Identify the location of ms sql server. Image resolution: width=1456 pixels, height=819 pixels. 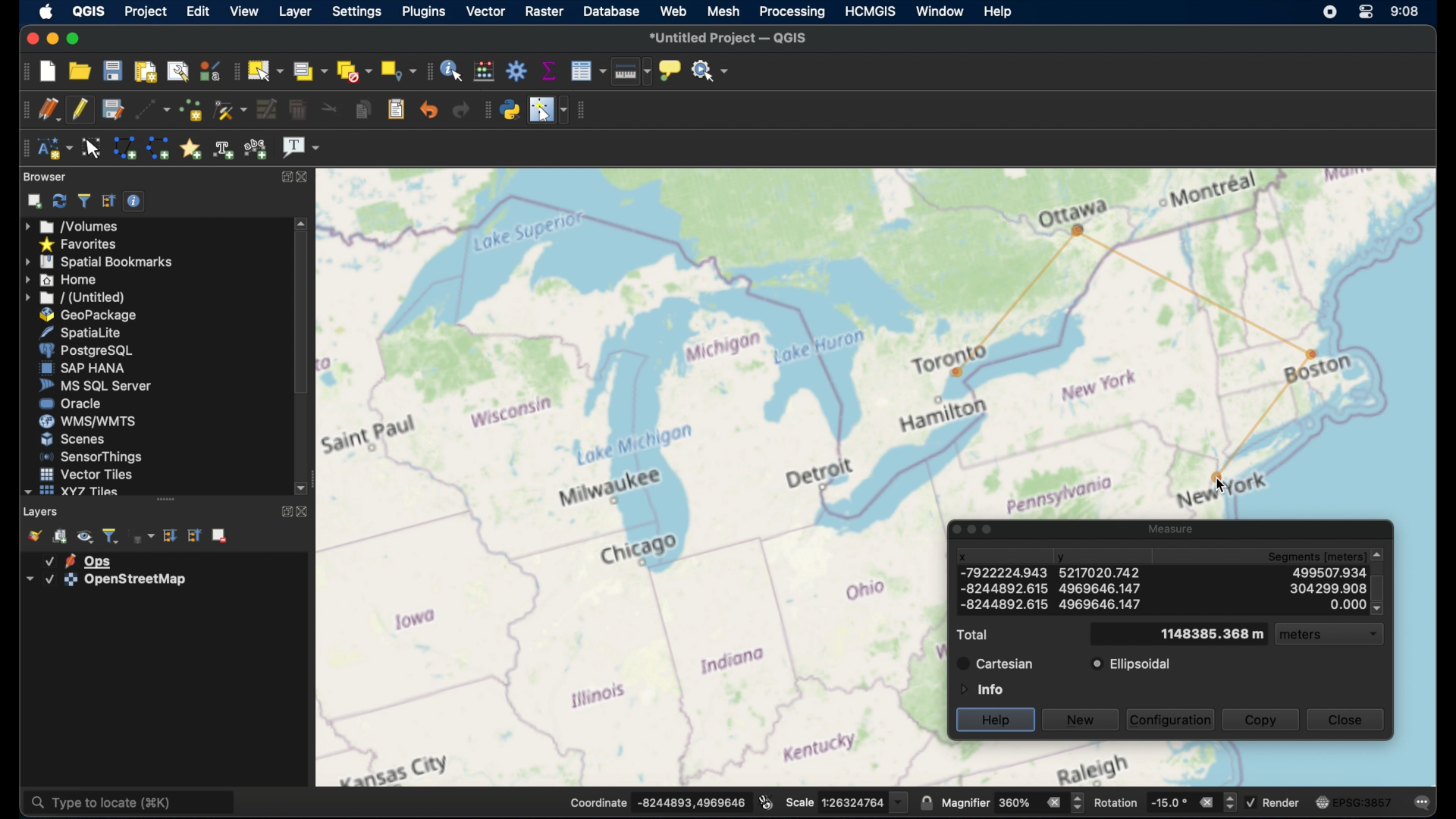
(95, 387).